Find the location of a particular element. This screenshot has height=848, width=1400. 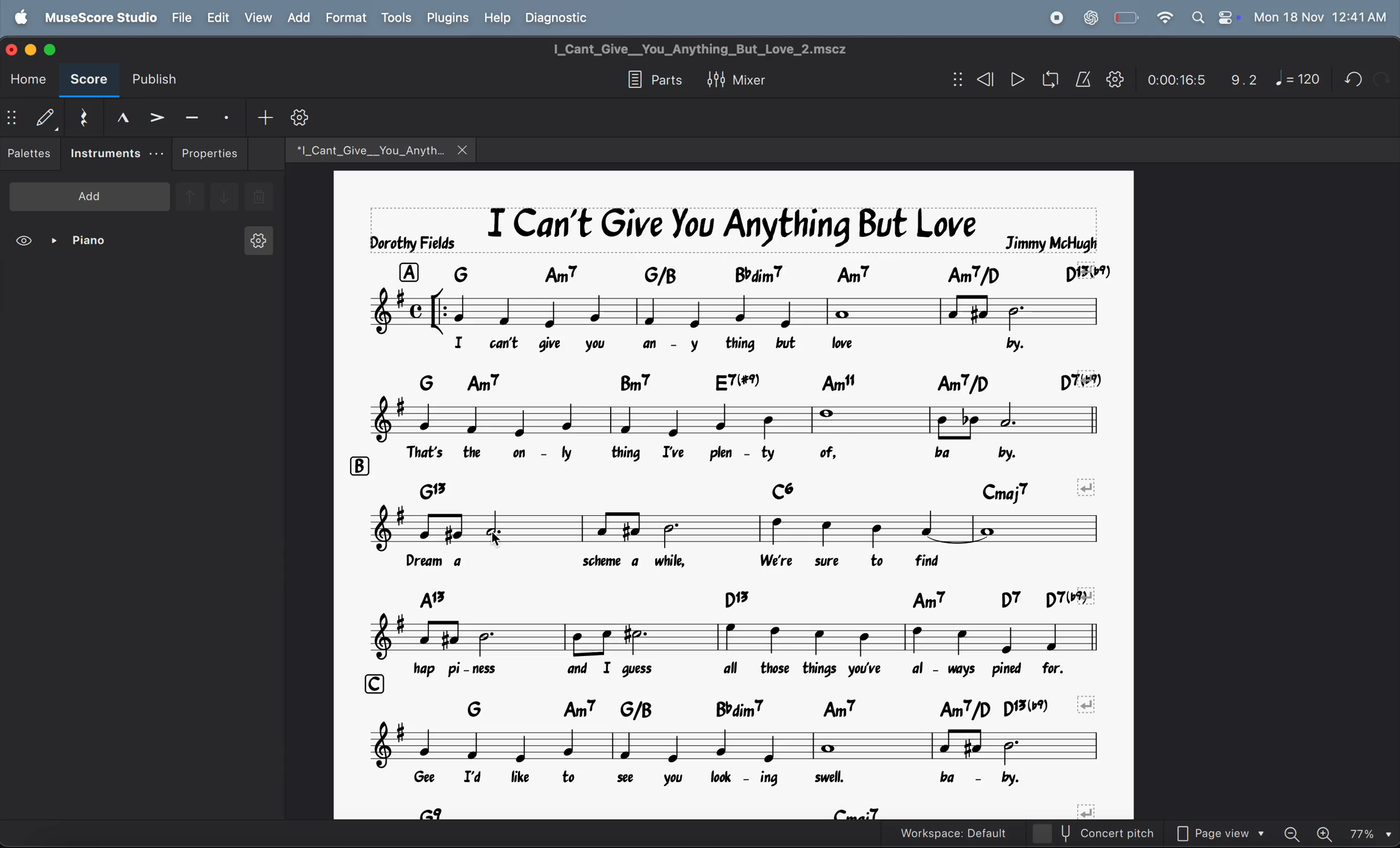

note 120 is located at coordinates (1299, 80).